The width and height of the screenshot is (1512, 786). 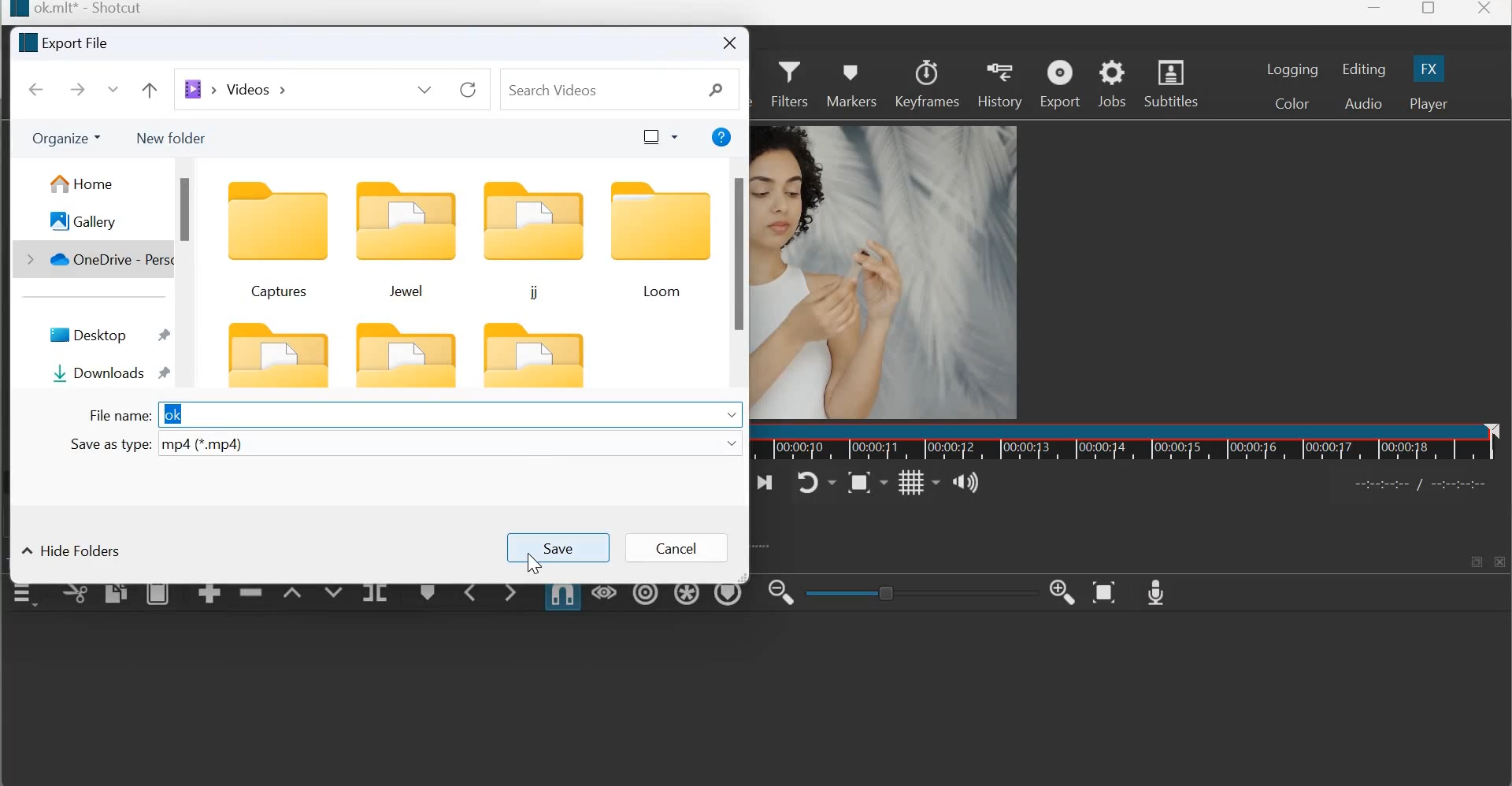 I want to click on Canvas, so click(x=892, y=261).